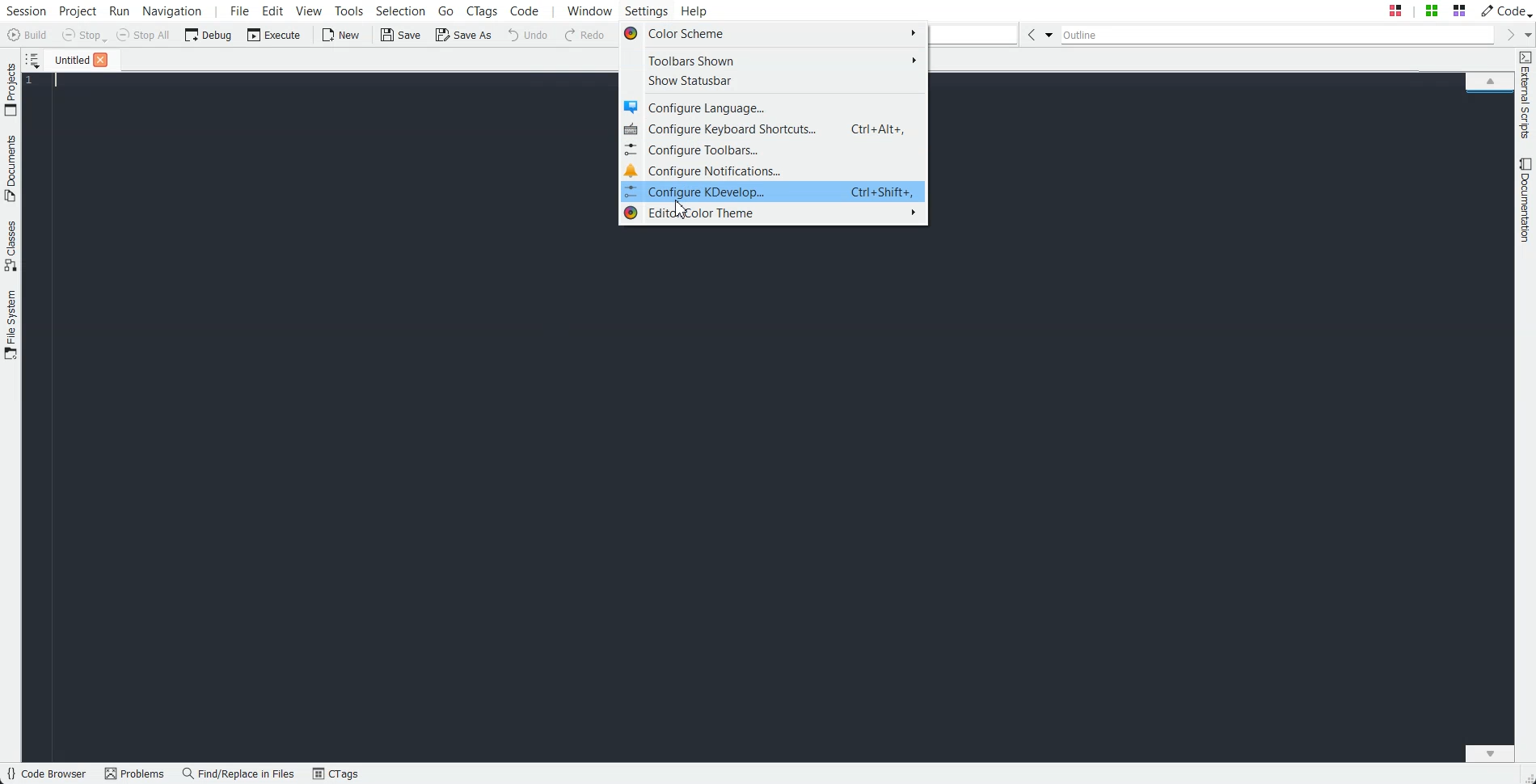 The width and height of the screenshot is (1536, 784). I want to click on Slide Shifter, so click(1526, 776).